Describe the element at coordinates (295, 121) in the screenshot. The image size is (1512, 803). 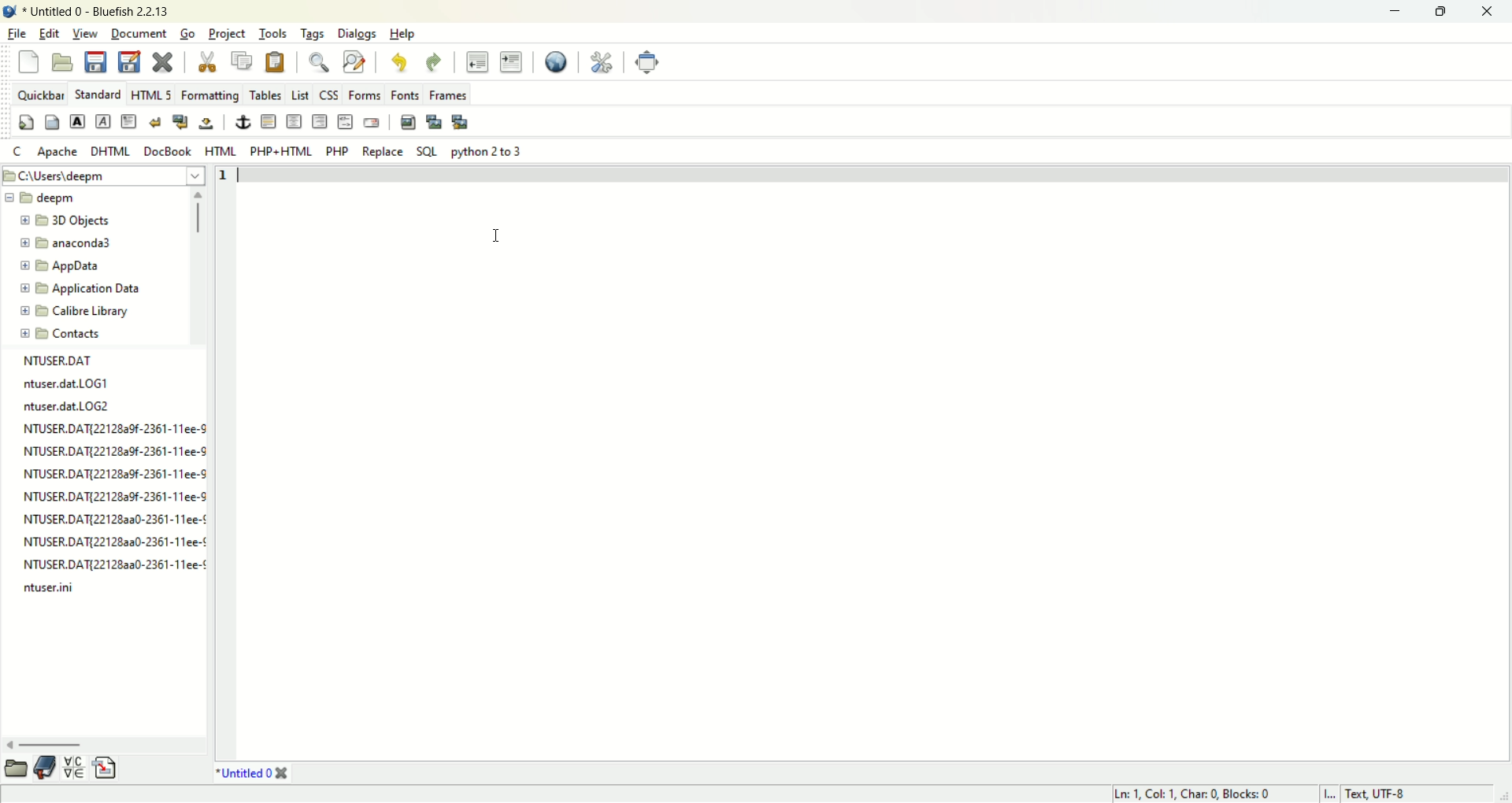
I see `center` at that location.